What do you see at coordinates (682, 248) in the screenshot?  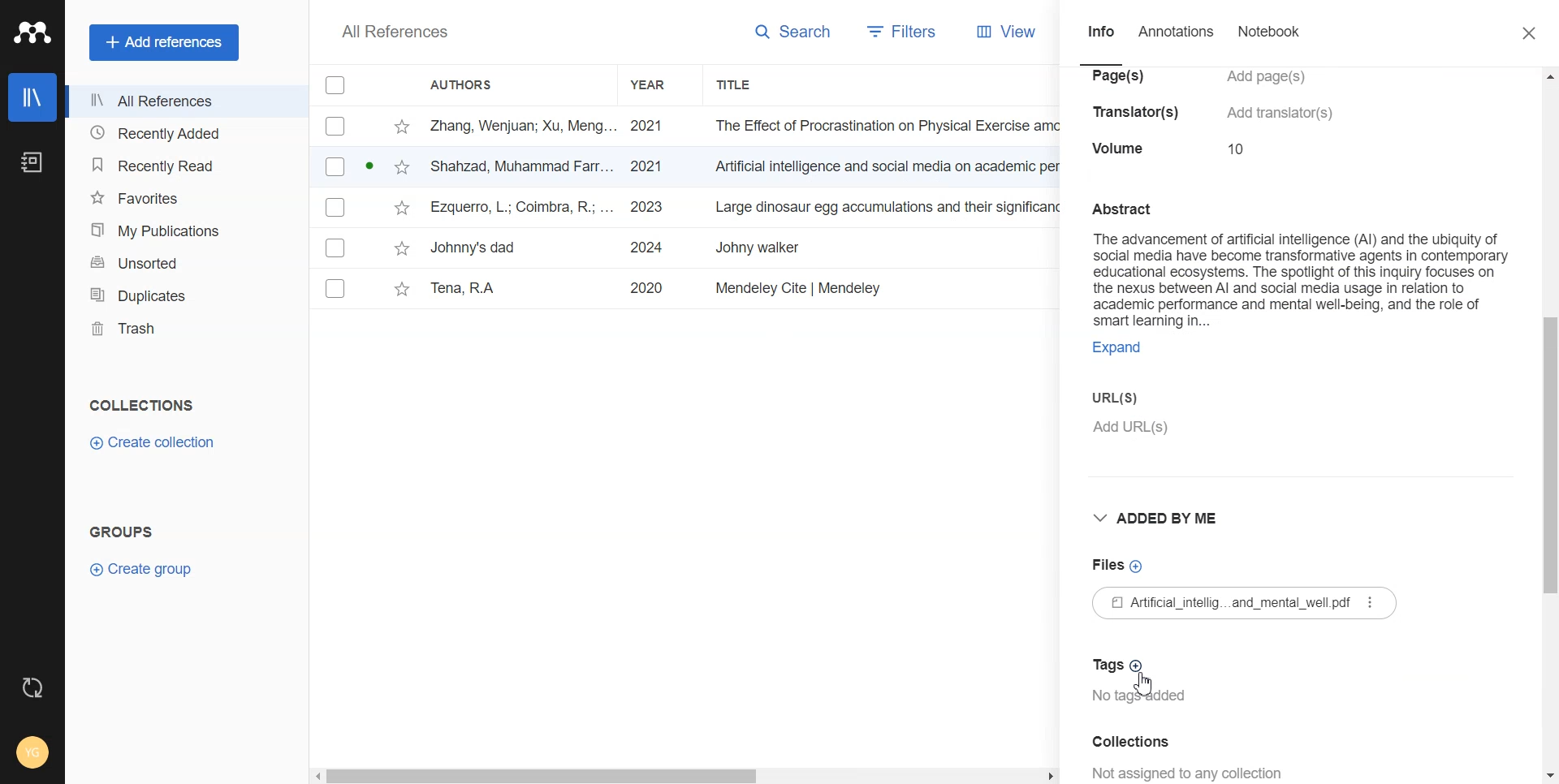 I see `File` at bounding box center [682, 248].